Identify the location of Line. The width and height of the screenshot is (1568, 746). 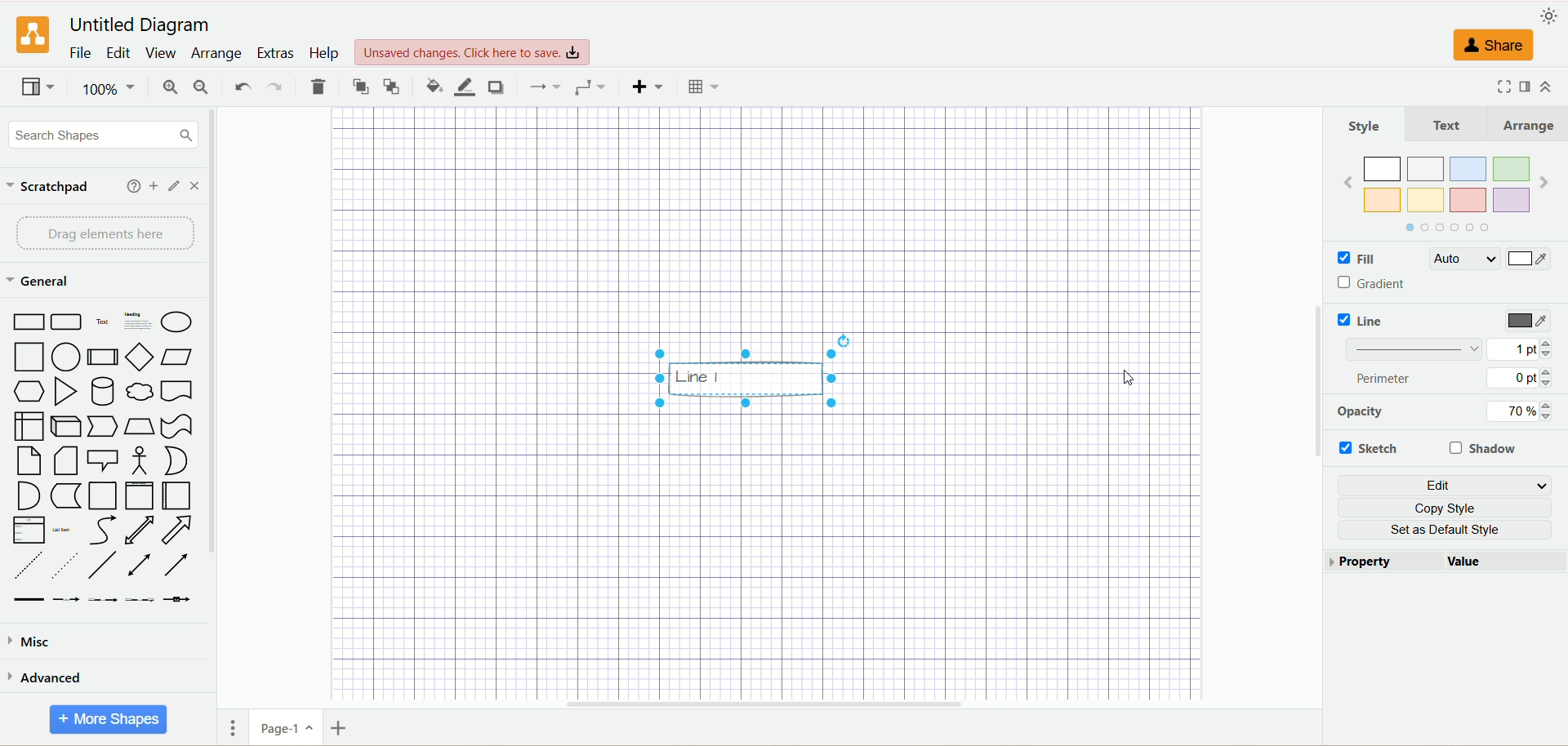
(103, 566).